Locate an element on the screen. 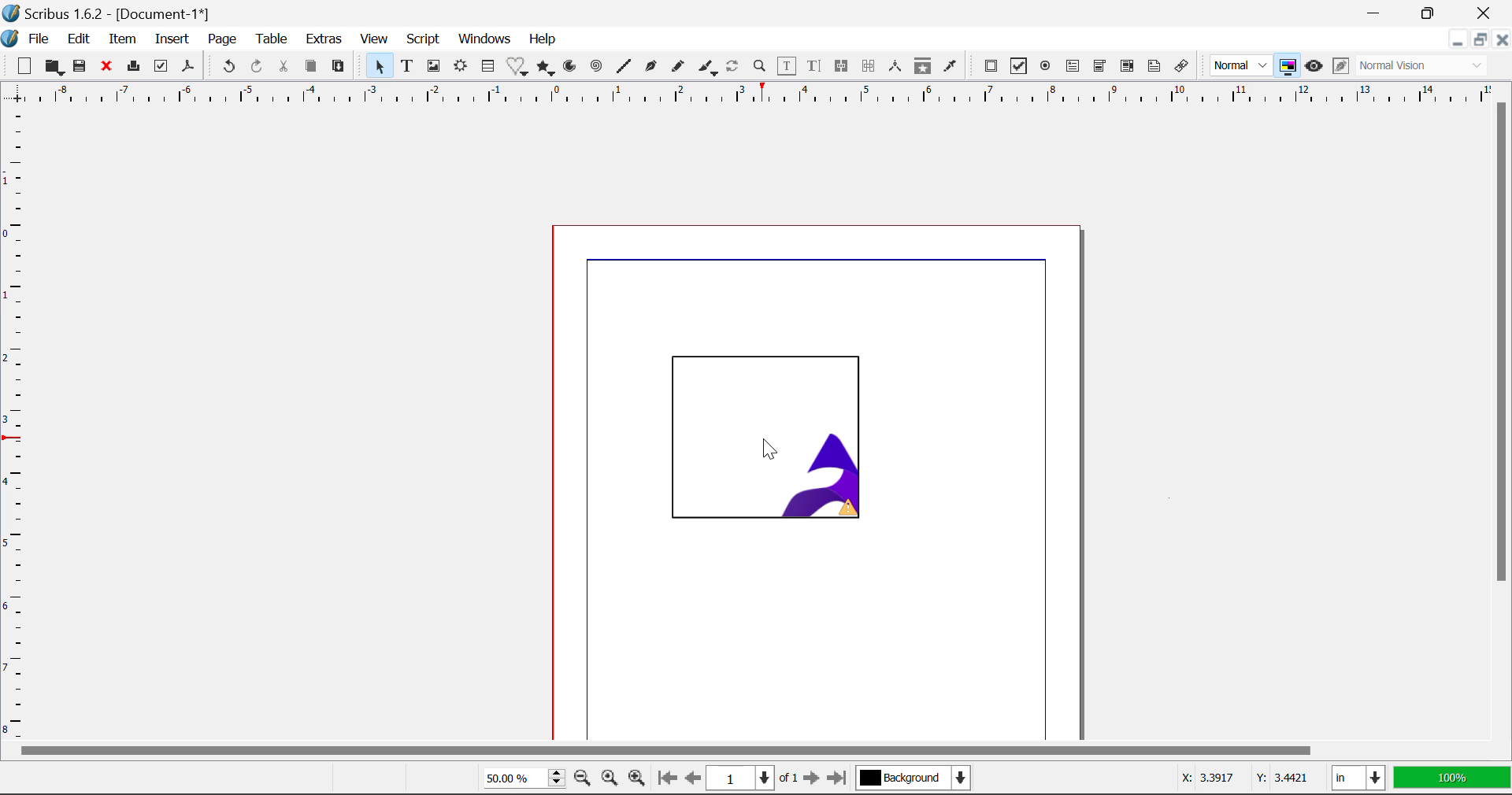 The image size is (1512, 795). Pdf Checkbox is located at coordinates (1016, 68).